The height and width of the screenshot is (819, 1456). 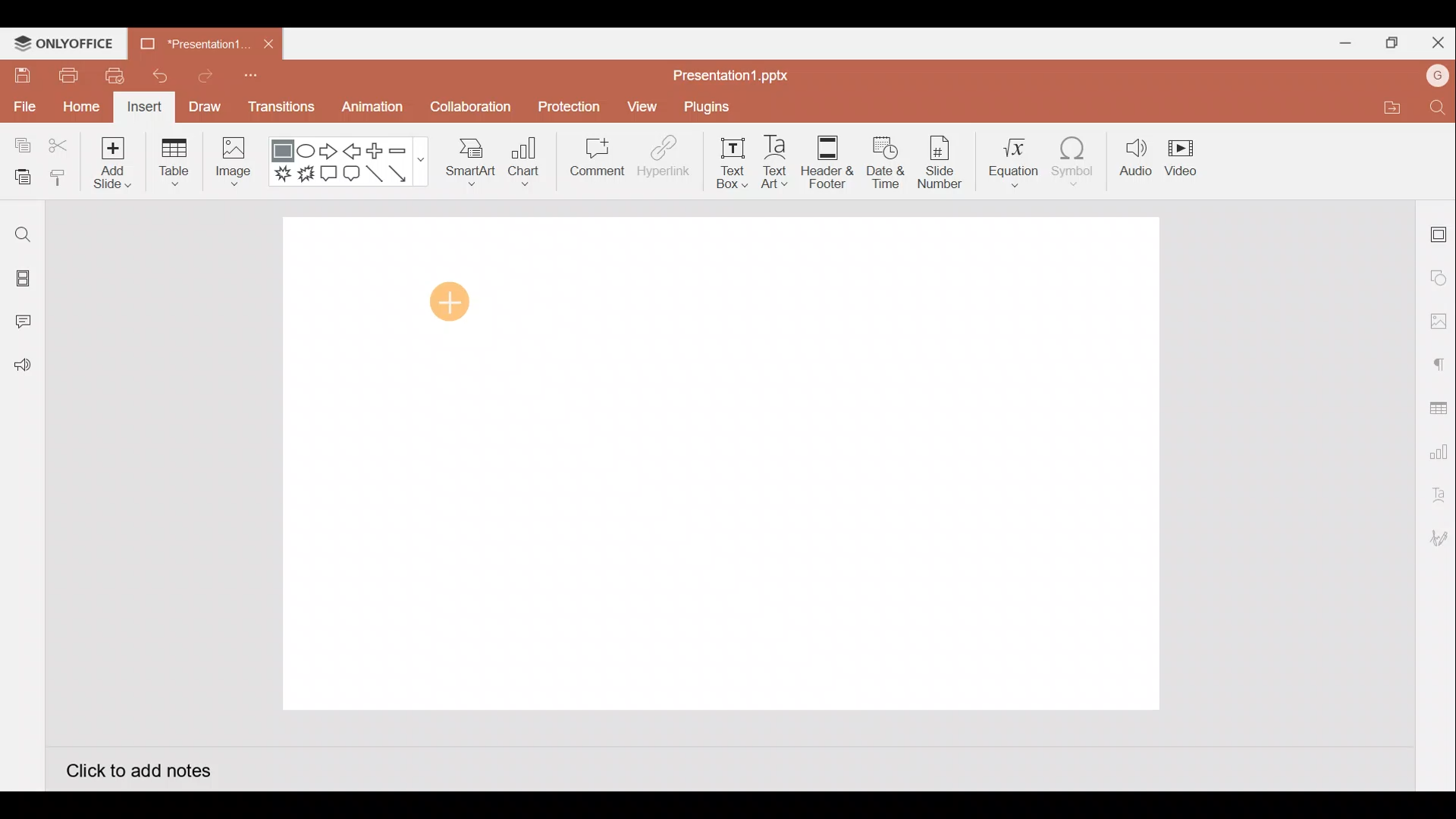 I want to click on Account name, so click(x=1438, y=76).